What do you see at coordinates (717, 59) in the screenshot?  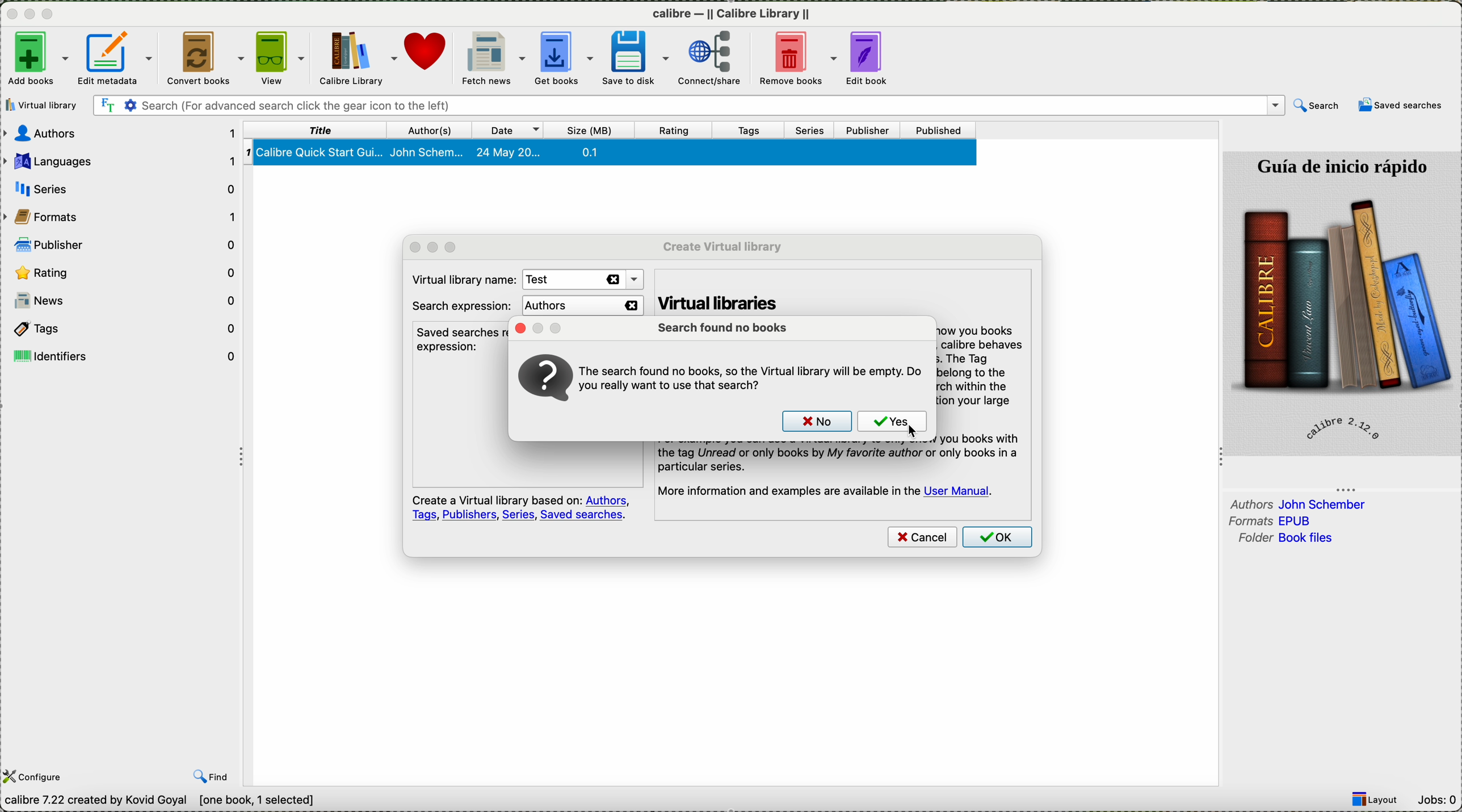 I see `connect/share` at bounding box center [717, 59].